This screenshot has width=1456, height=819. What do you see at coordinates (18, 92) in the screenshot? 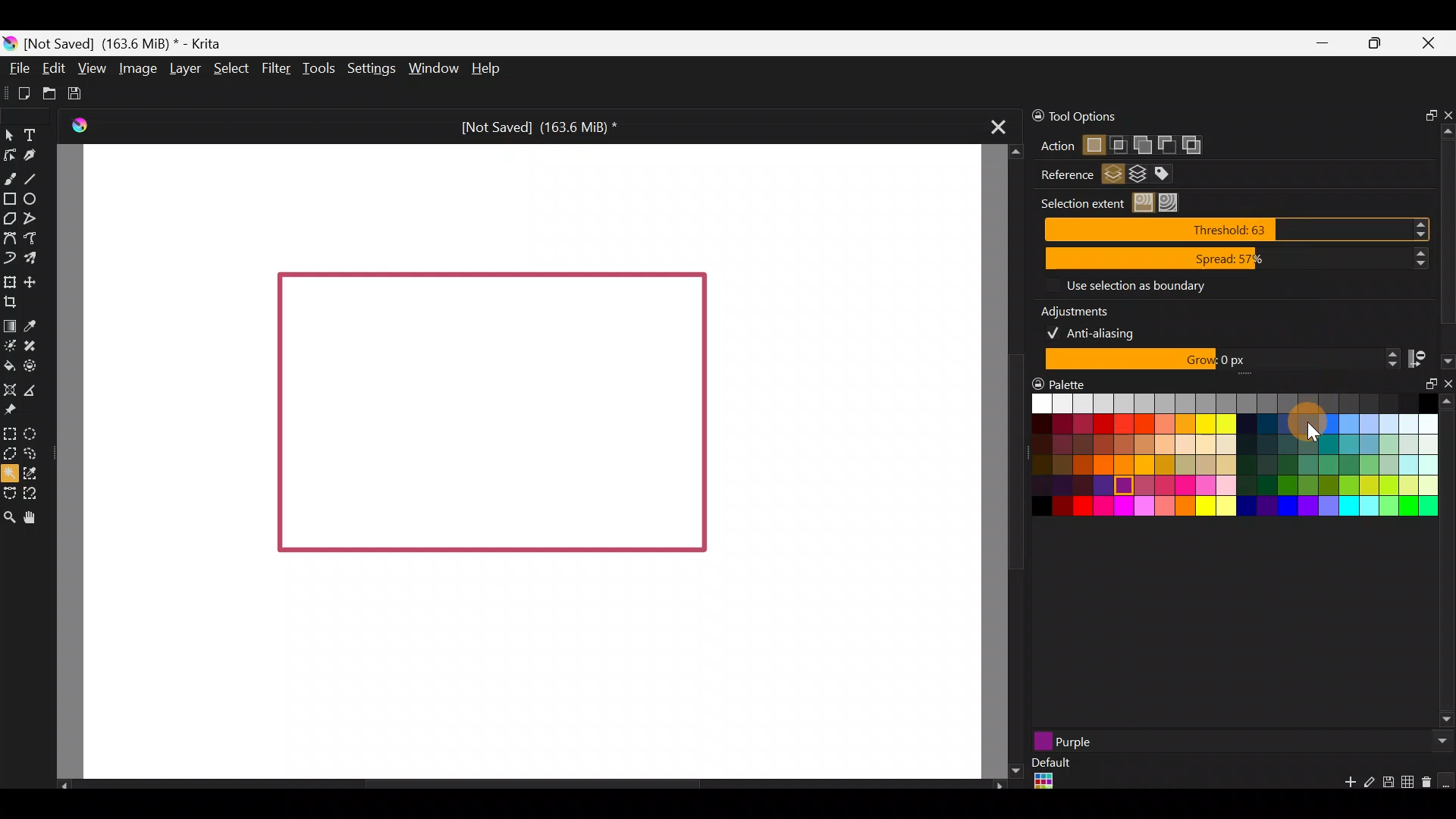
I see `Create new document` at bounding box center [18, 92].